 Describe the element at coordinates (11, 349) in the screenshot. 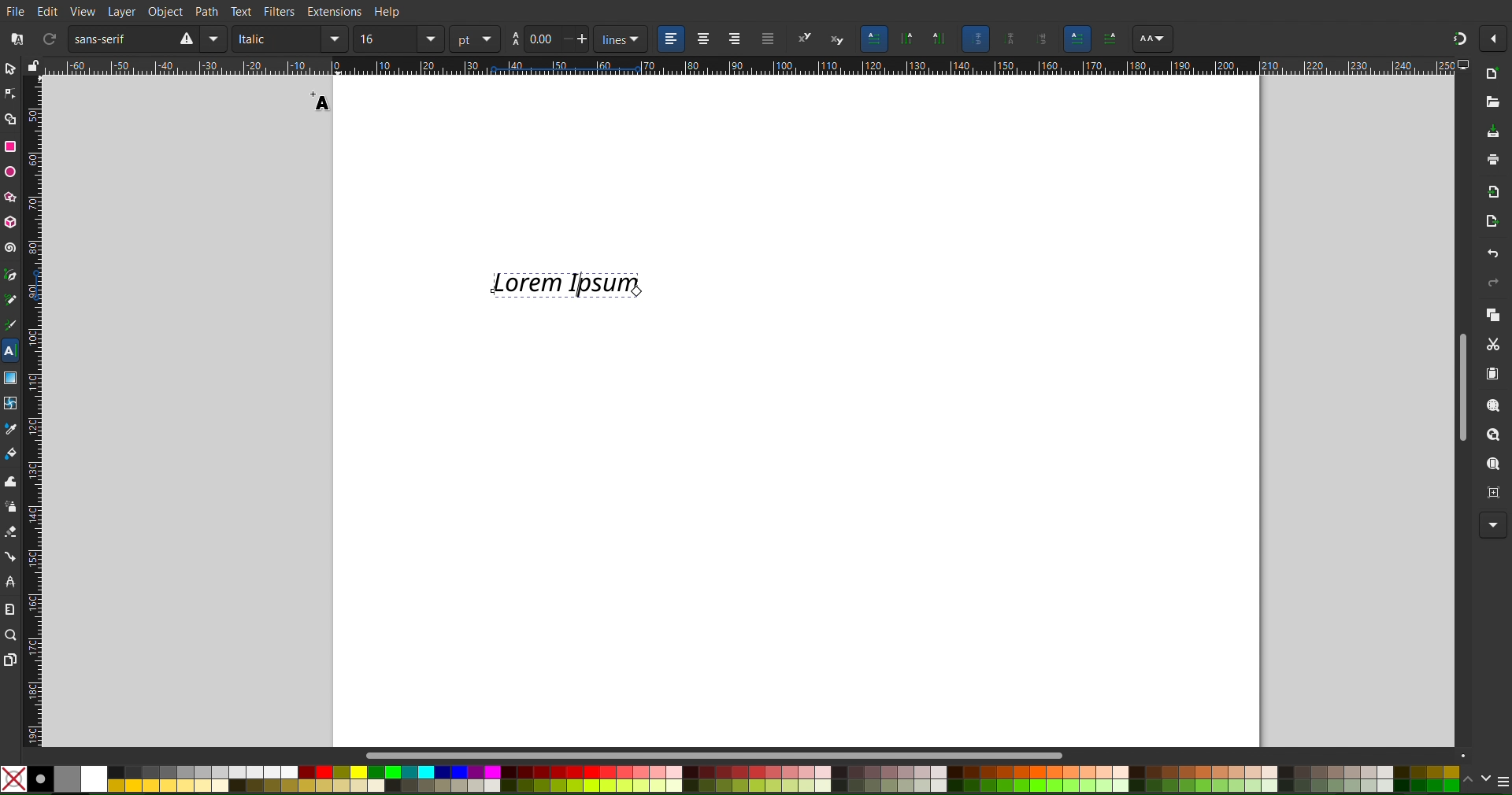

I see `Text Tool` at that location.